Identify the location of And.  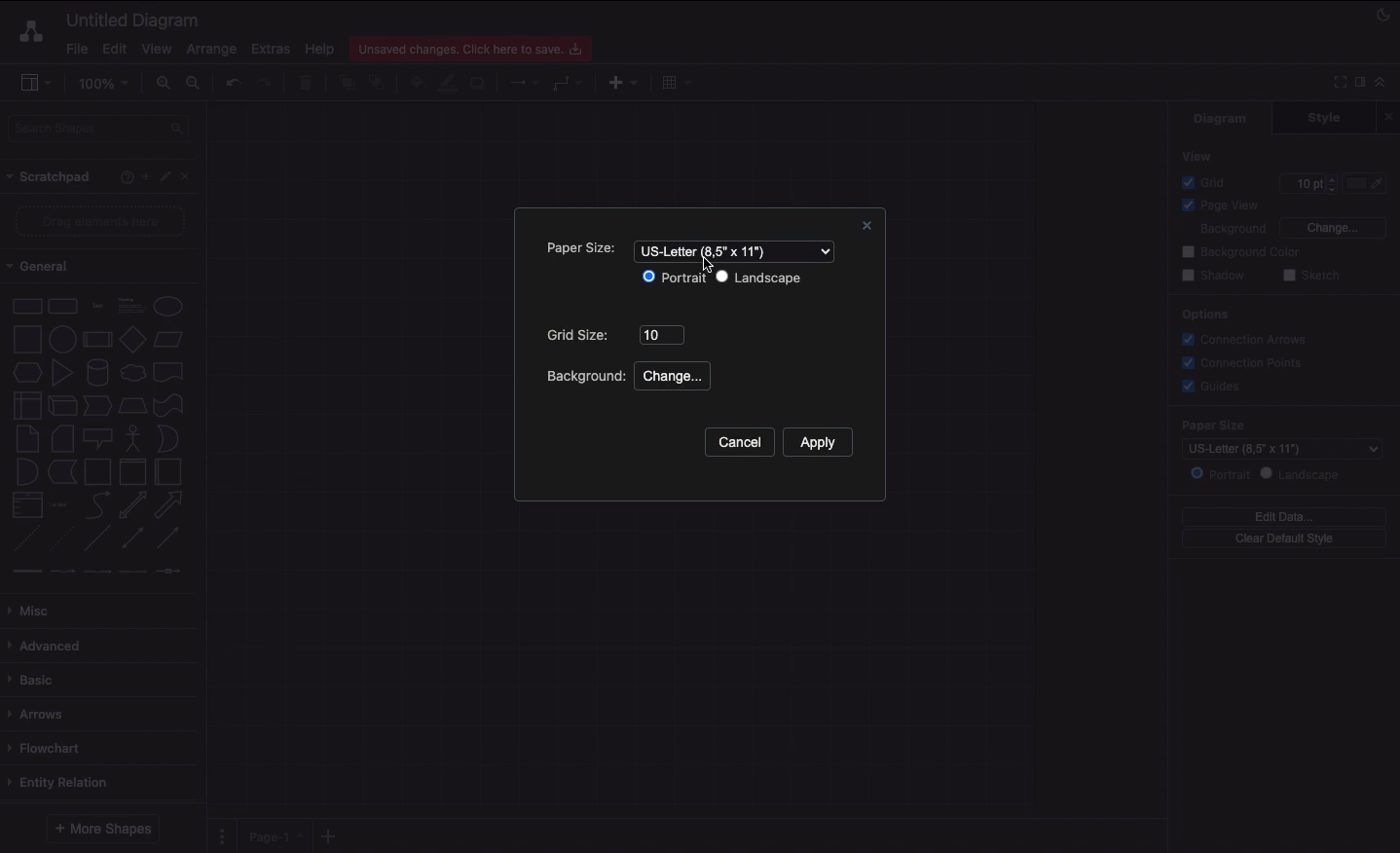
(28, 473).